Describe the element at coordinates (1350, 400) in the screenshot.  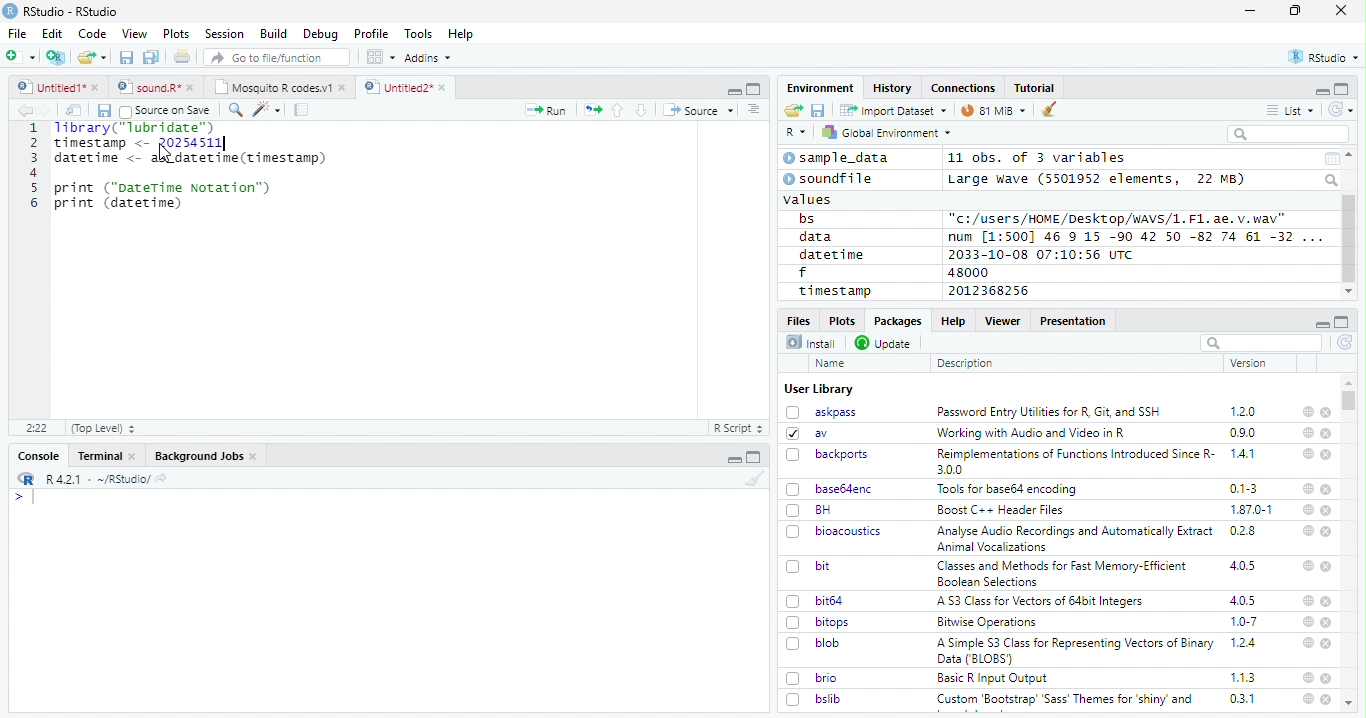
I see `scroll bar` at that location.